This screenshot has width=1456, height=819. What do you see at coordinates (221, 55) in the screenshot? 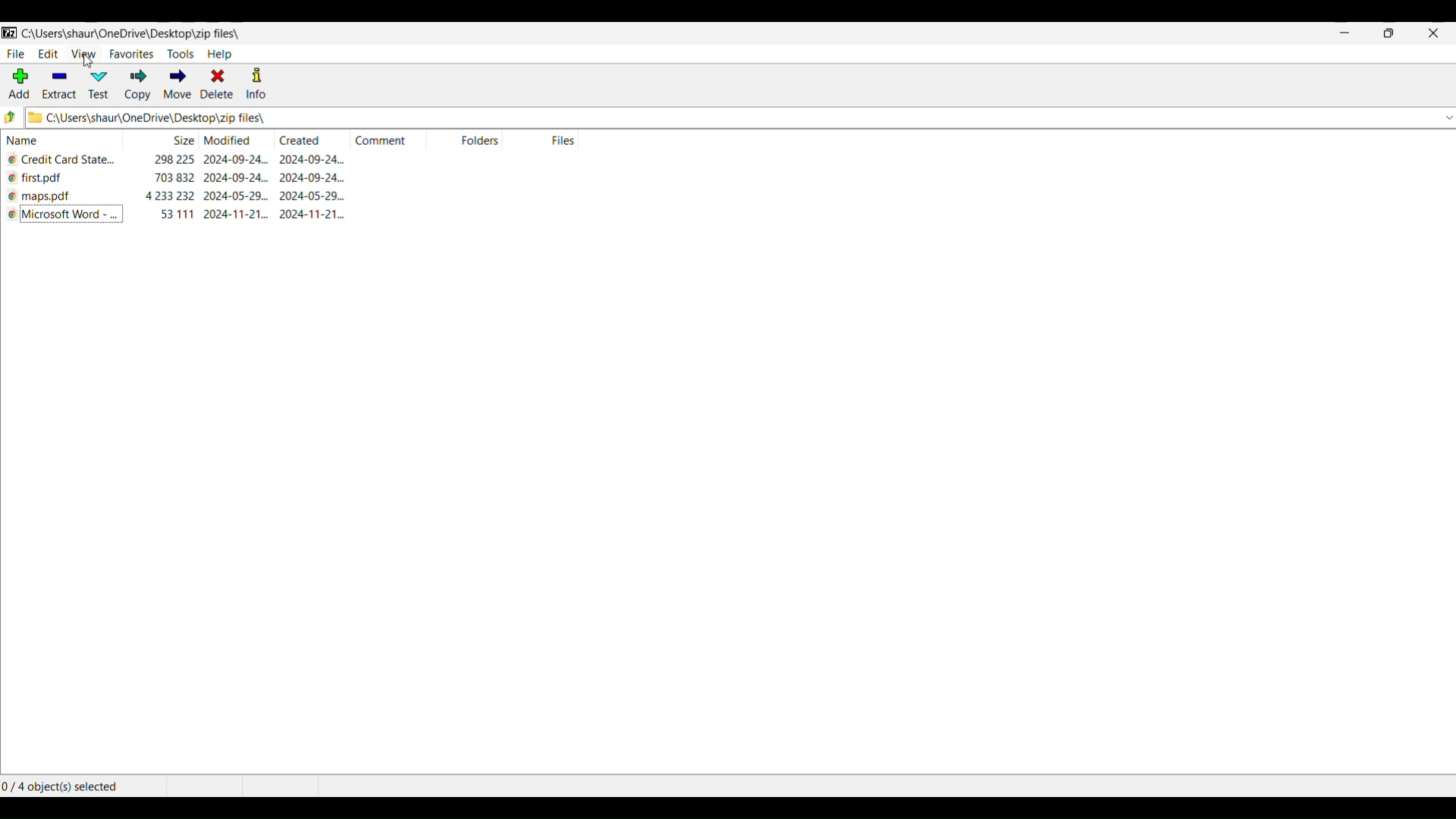
I see `help` at bounding box center [221, 55].